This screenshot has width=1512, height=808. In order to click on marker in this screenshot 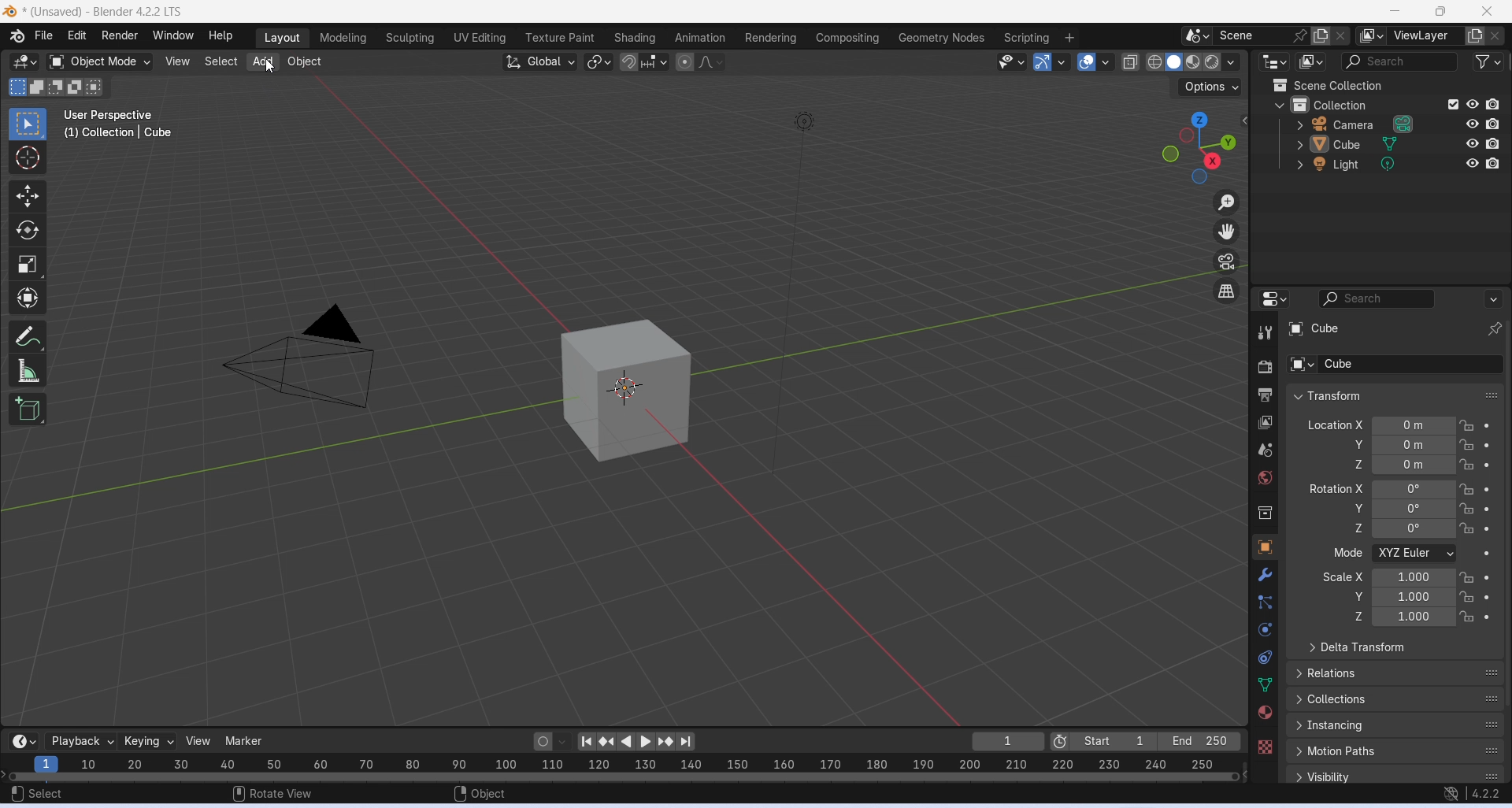, I will do `click(246, 740)`.